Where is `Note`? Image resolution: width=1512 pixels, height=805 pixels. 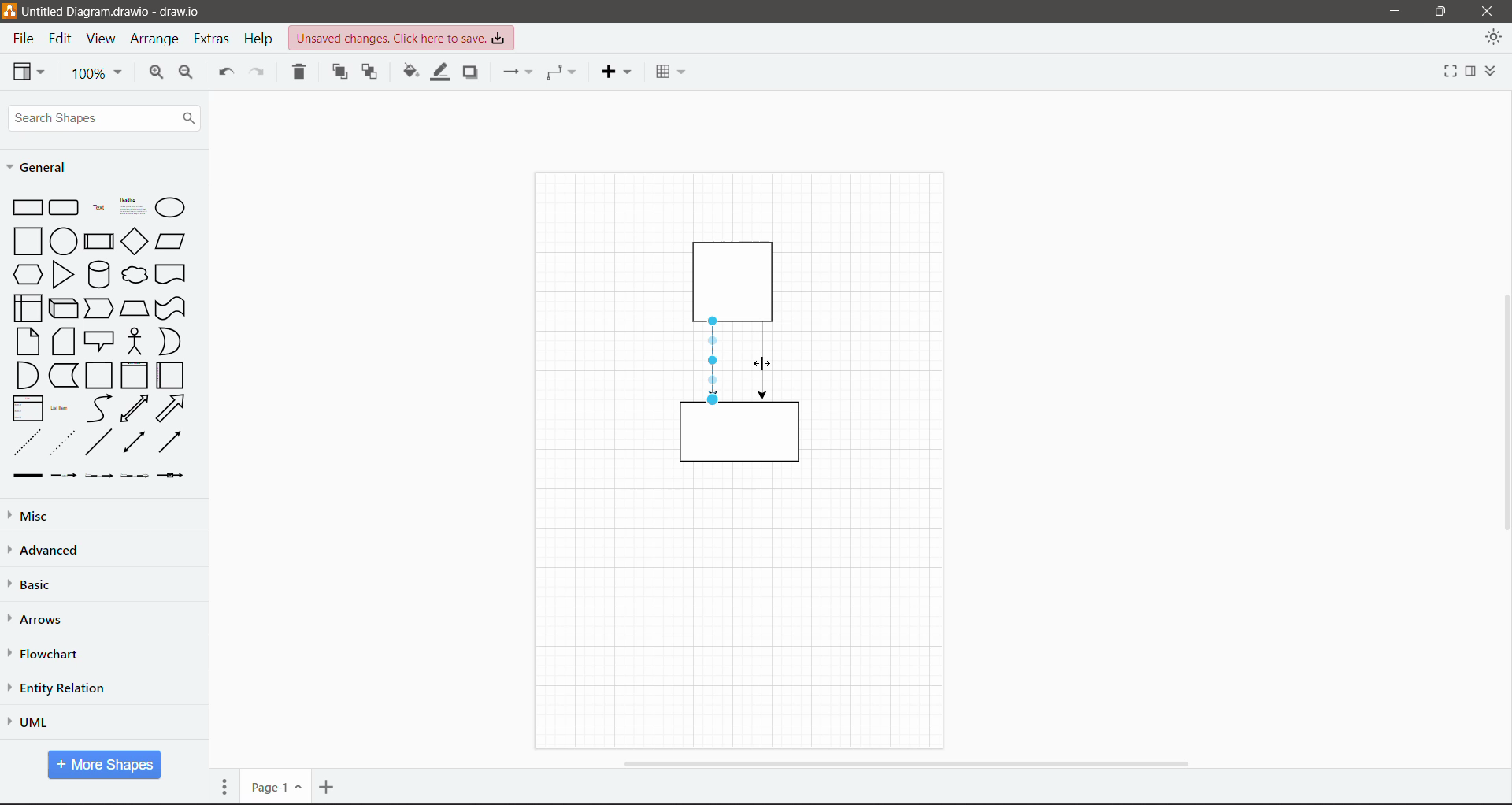
Note is located at coordinates (28, 340).